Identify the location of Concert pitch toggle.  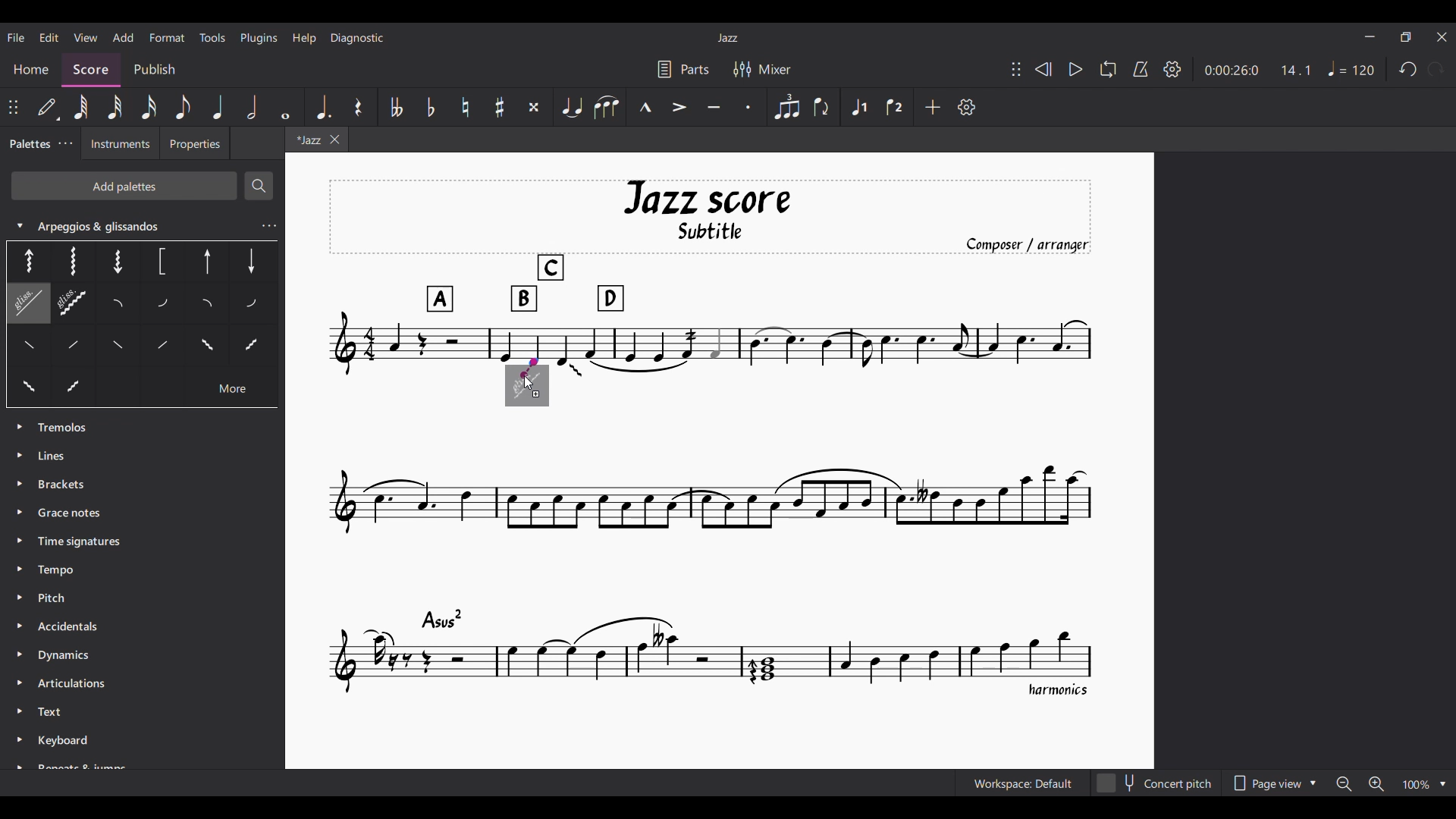
(1156, 783).